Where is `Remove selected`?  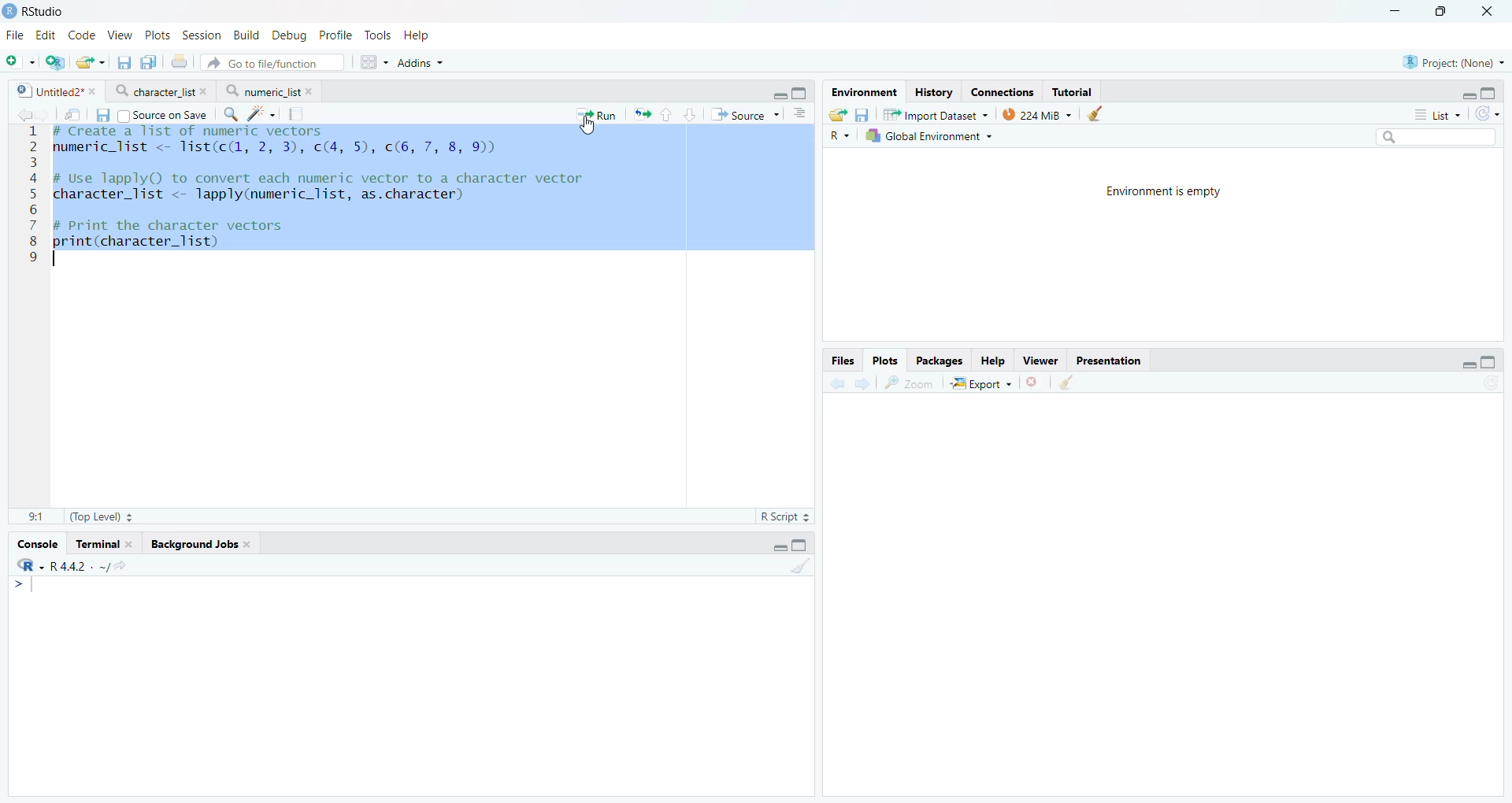 Remove selected is located at coordinates (1034, 383).